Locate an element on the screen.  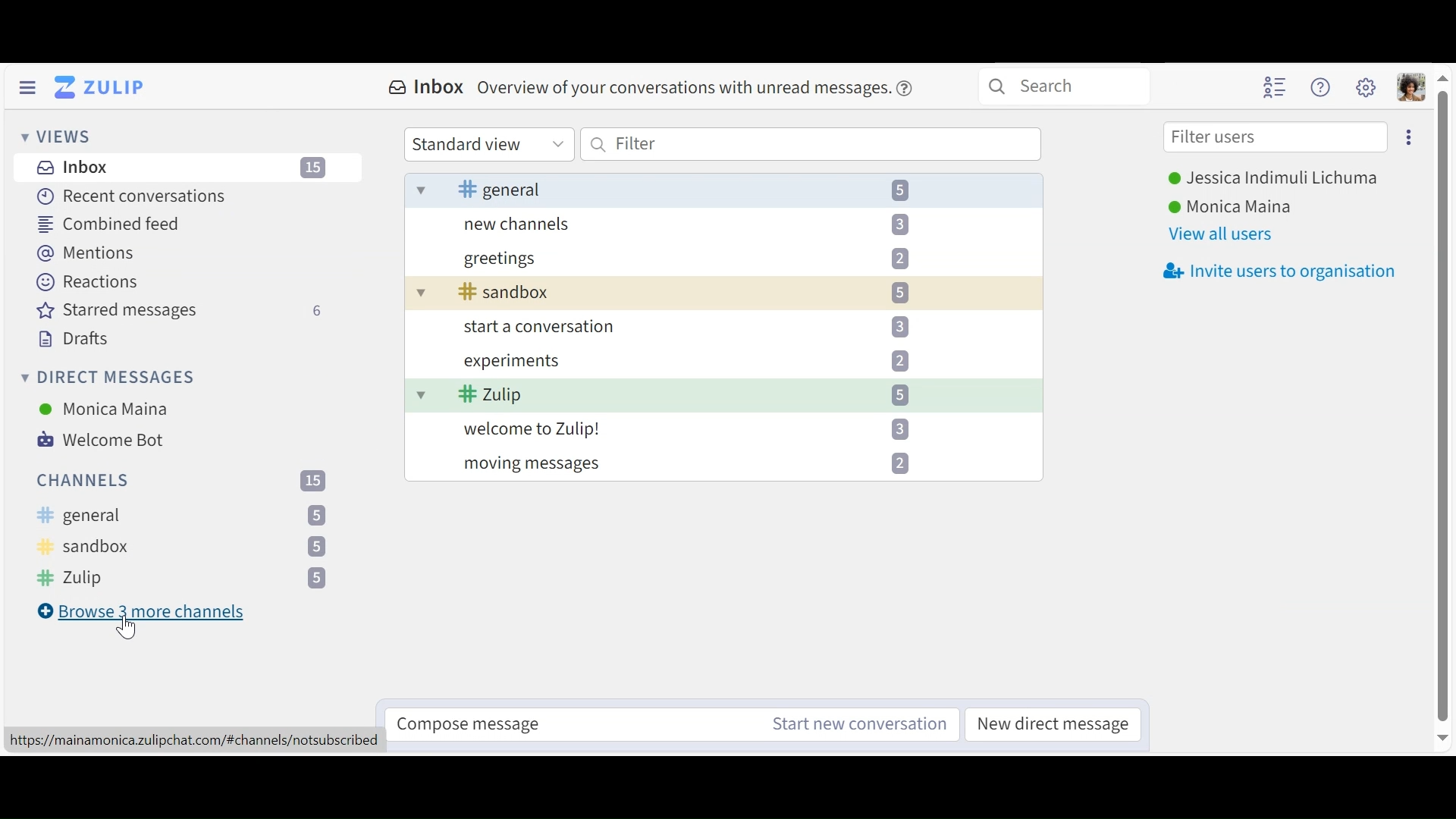
User is located at coordinates (108, 410).